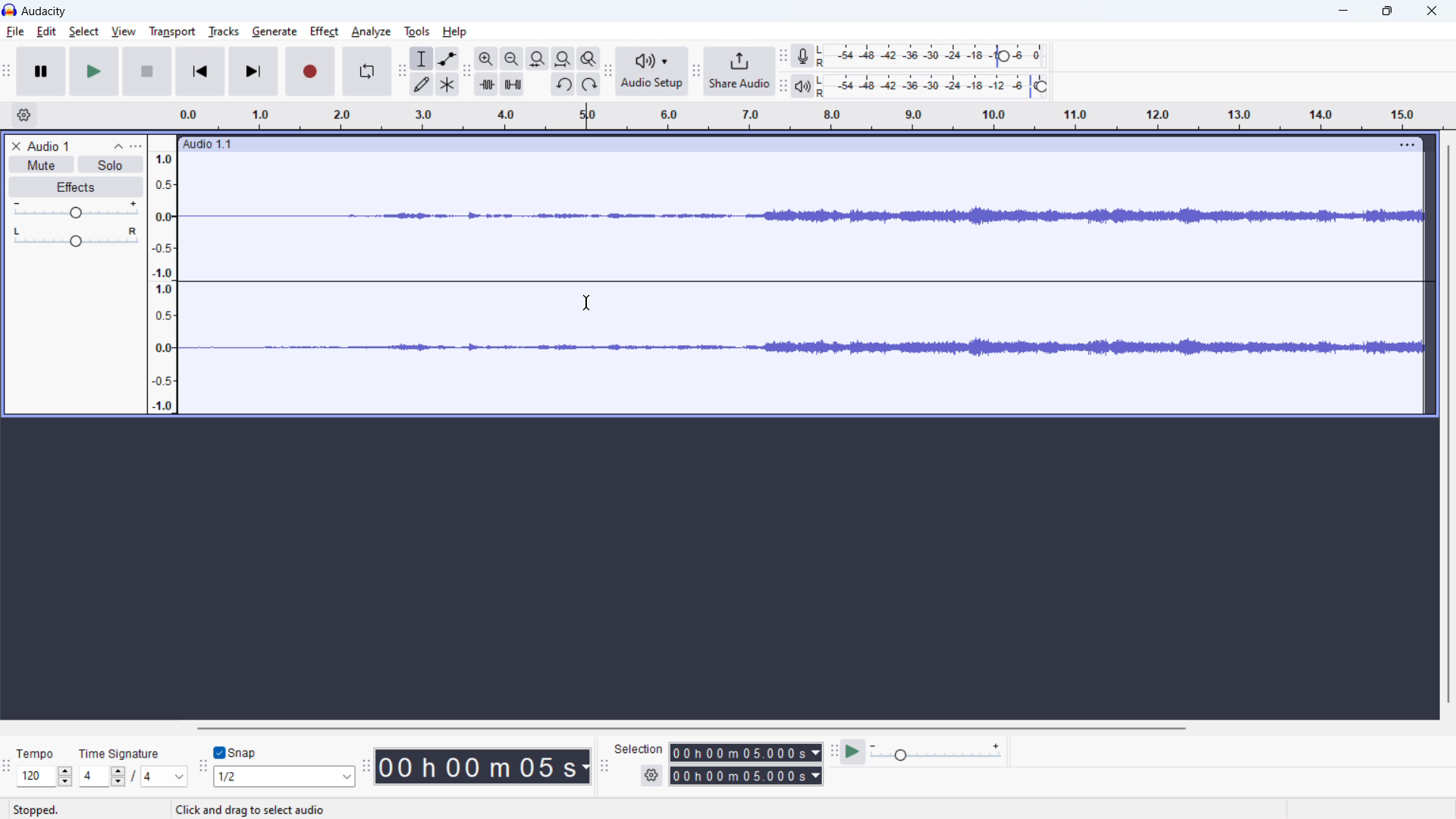 The image size is (1456, 819). I want to click on Time signature, so click(123, 753).